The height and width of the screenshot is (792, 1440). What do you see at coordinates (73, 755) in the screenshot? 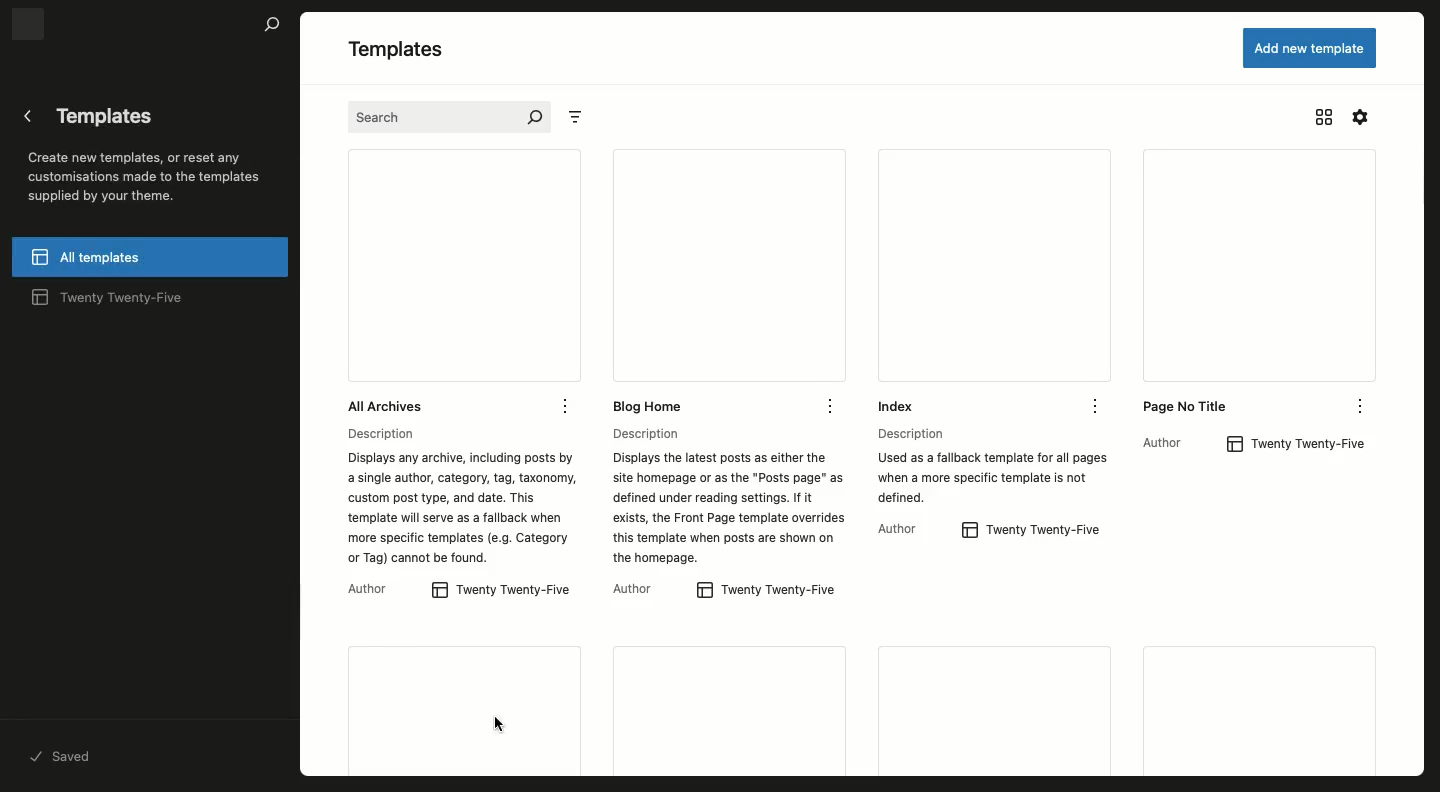
I see `saved` at bounding box center [73, 755].